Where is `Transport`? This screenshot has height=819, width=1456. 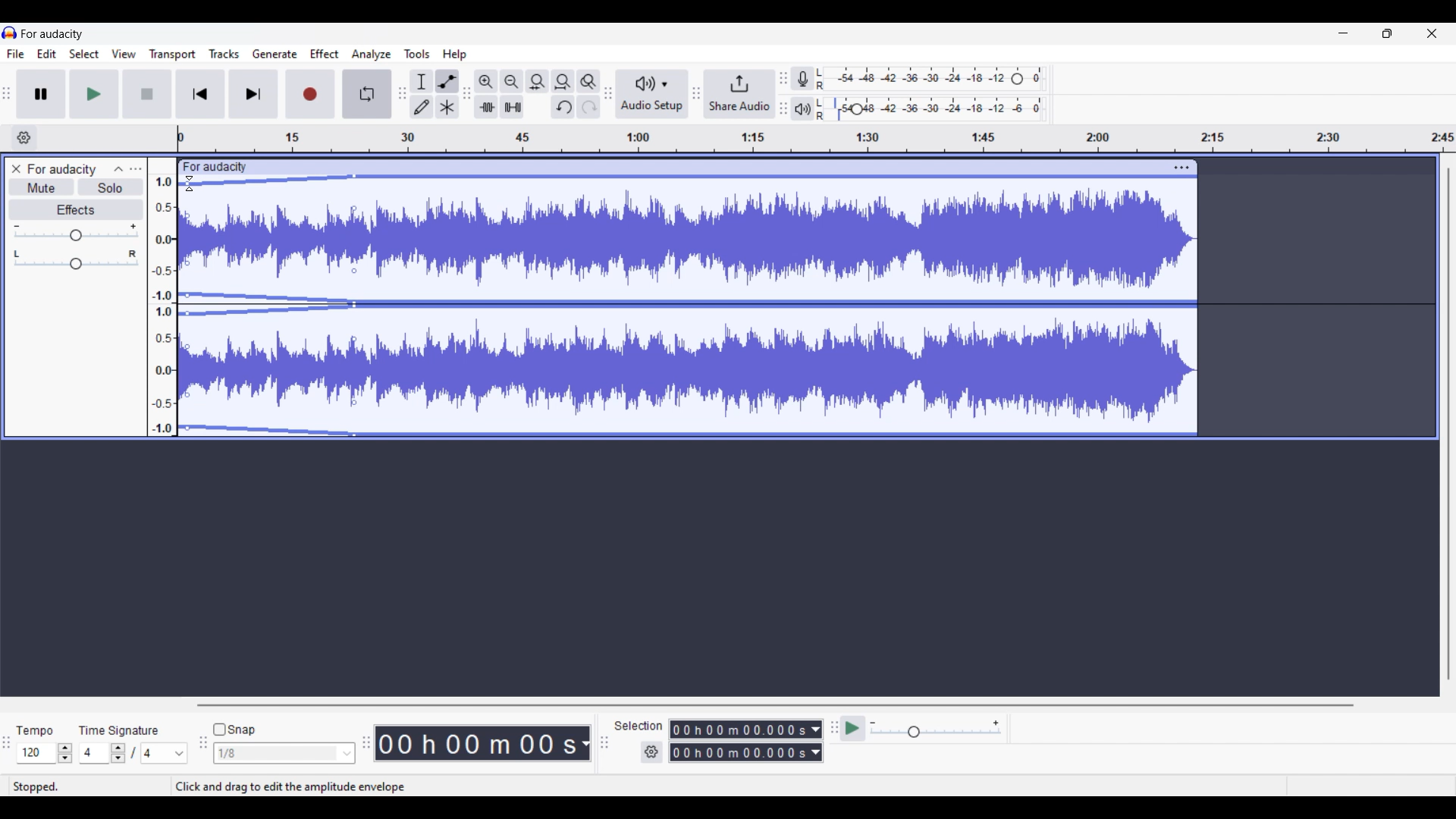
Transport is located at coordinates (172, 55).